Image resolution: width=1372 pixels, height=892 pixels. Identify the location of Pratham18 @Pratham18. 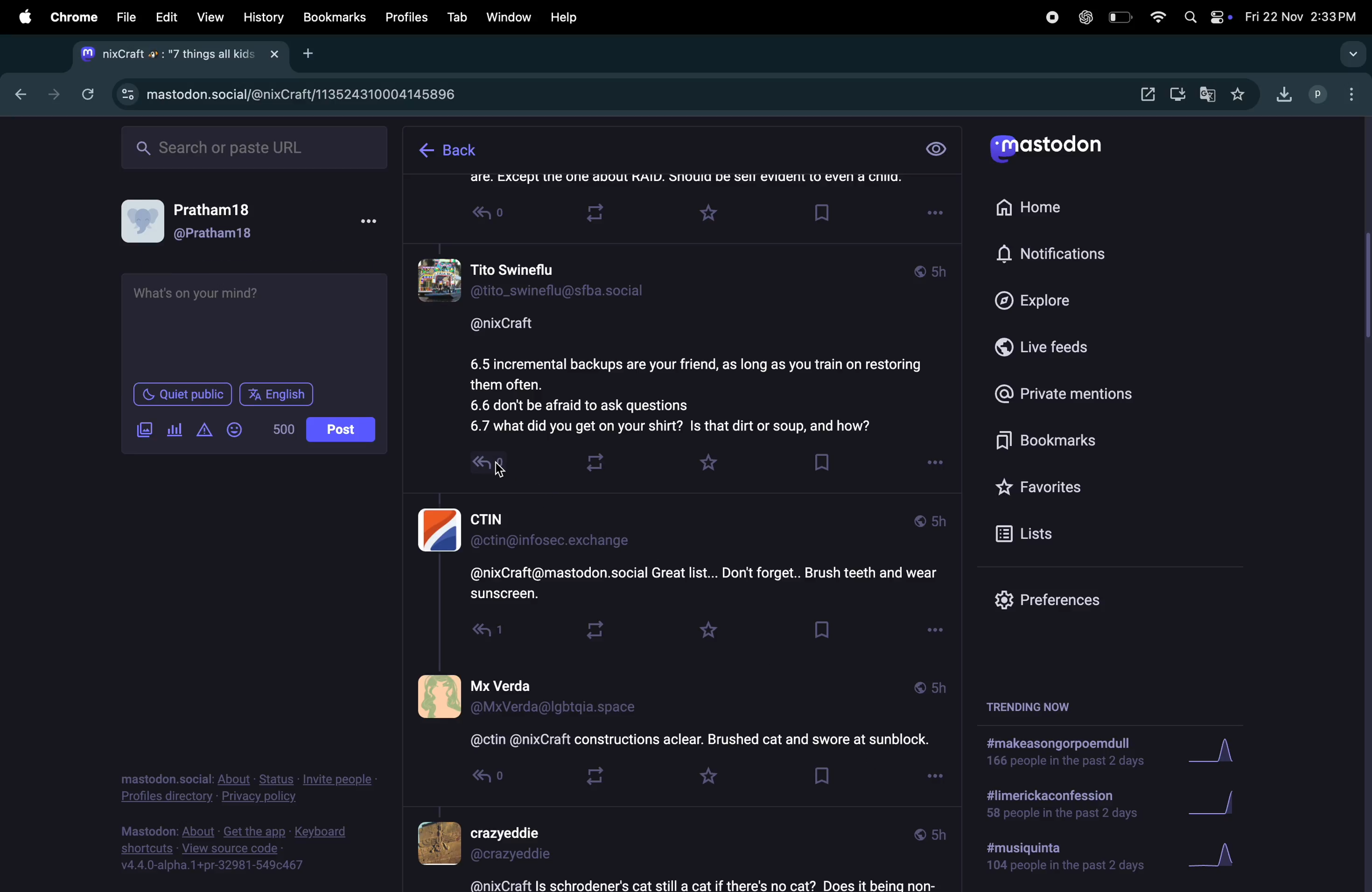
(253, 224).